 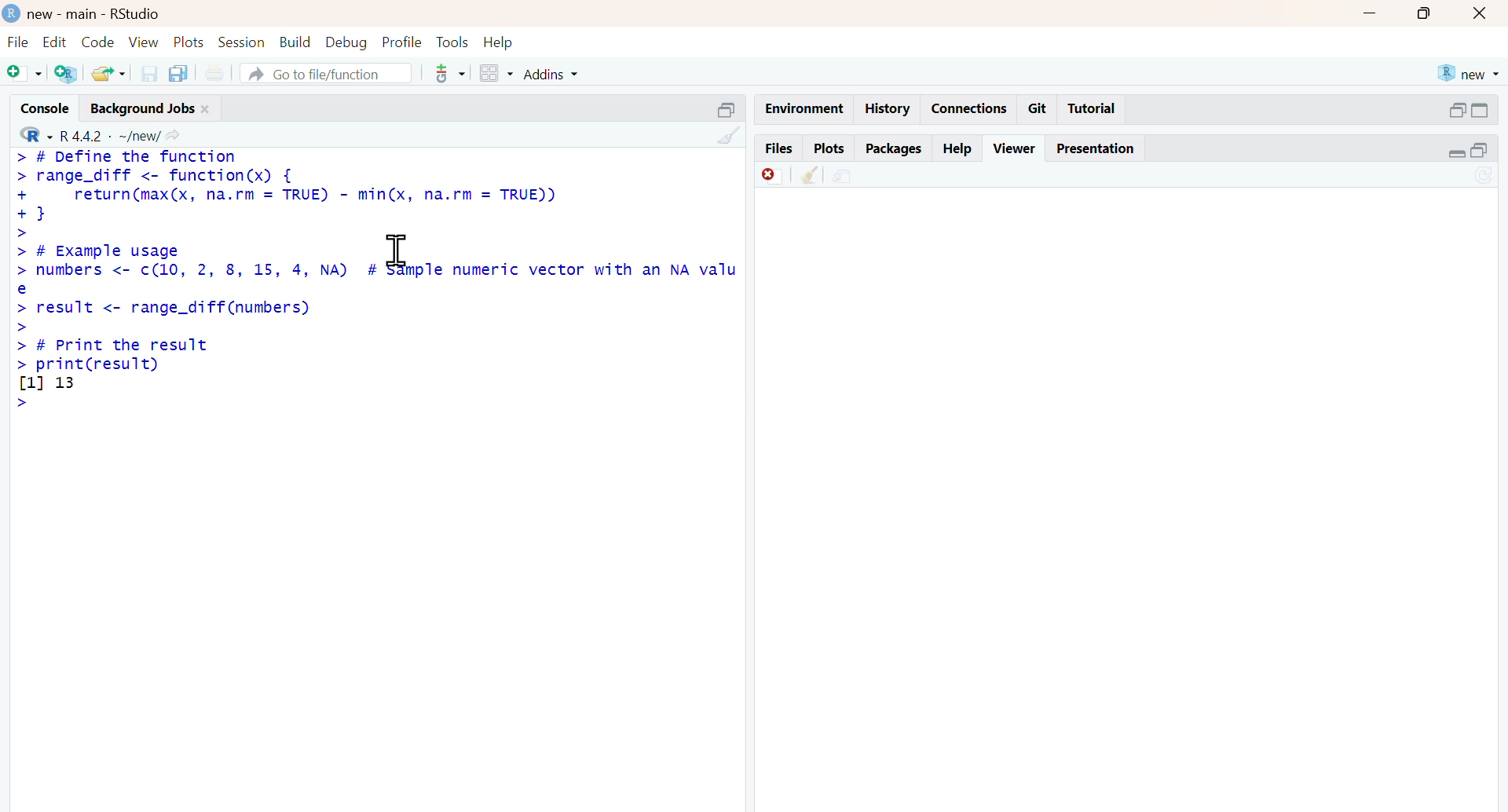 I want to click on share folder as, so click(x=110, y=73).